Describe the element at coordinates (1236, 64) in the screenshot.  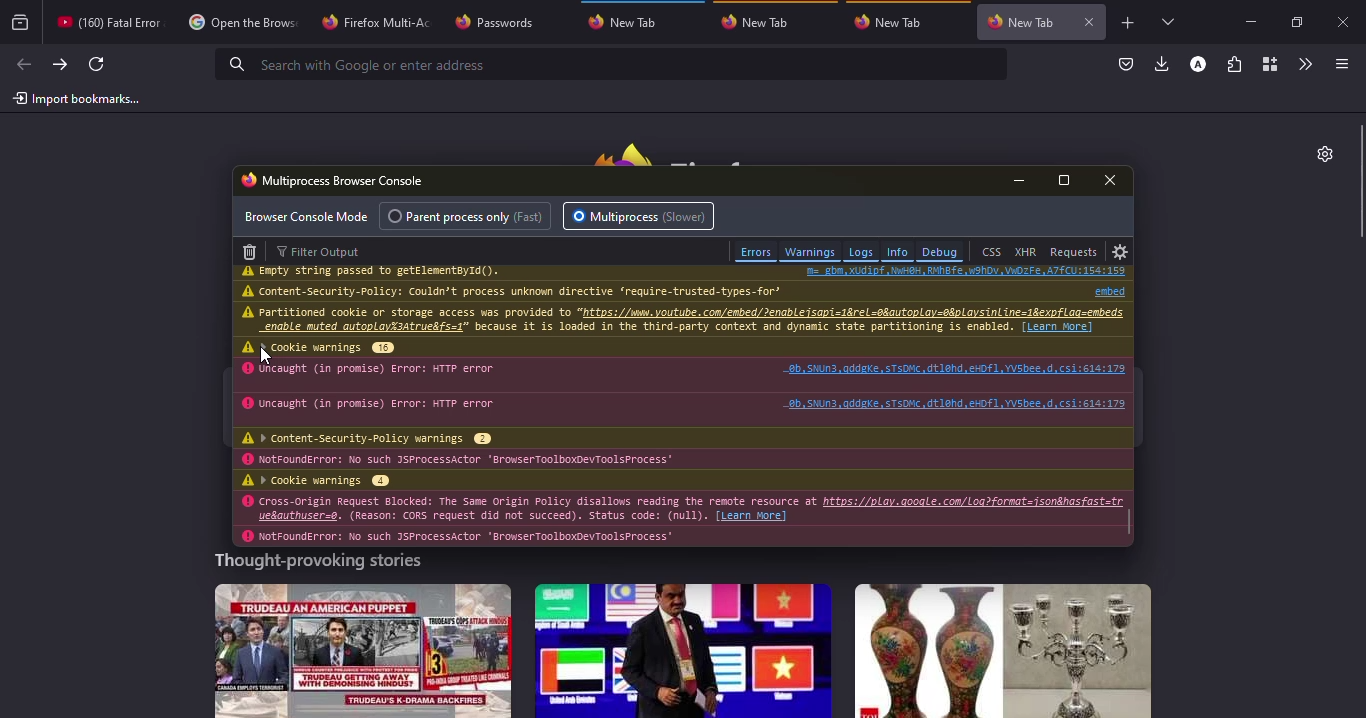
I see `extensions` at that location.